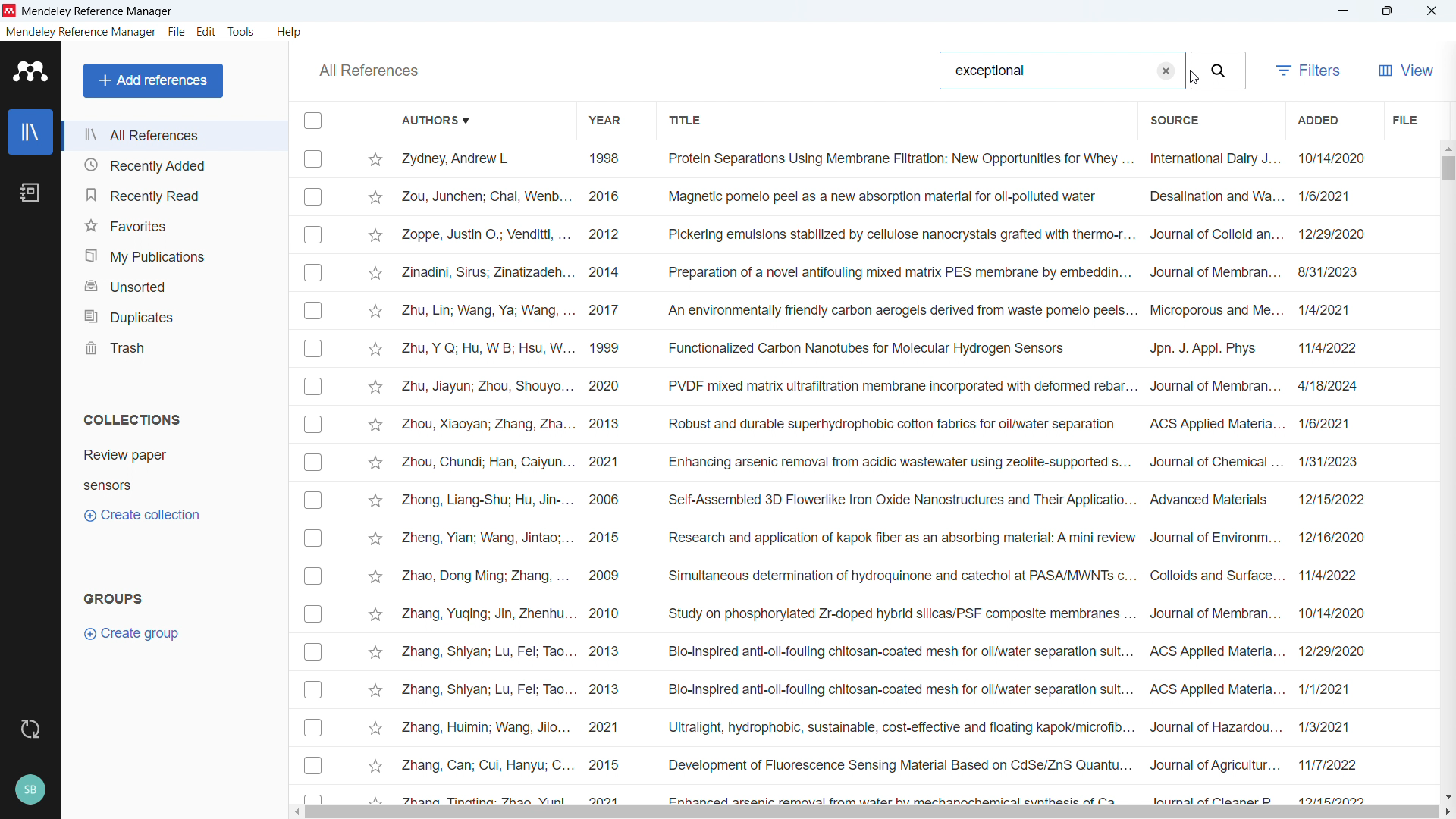  I want to click on Sort by source , so click(1174, 121).